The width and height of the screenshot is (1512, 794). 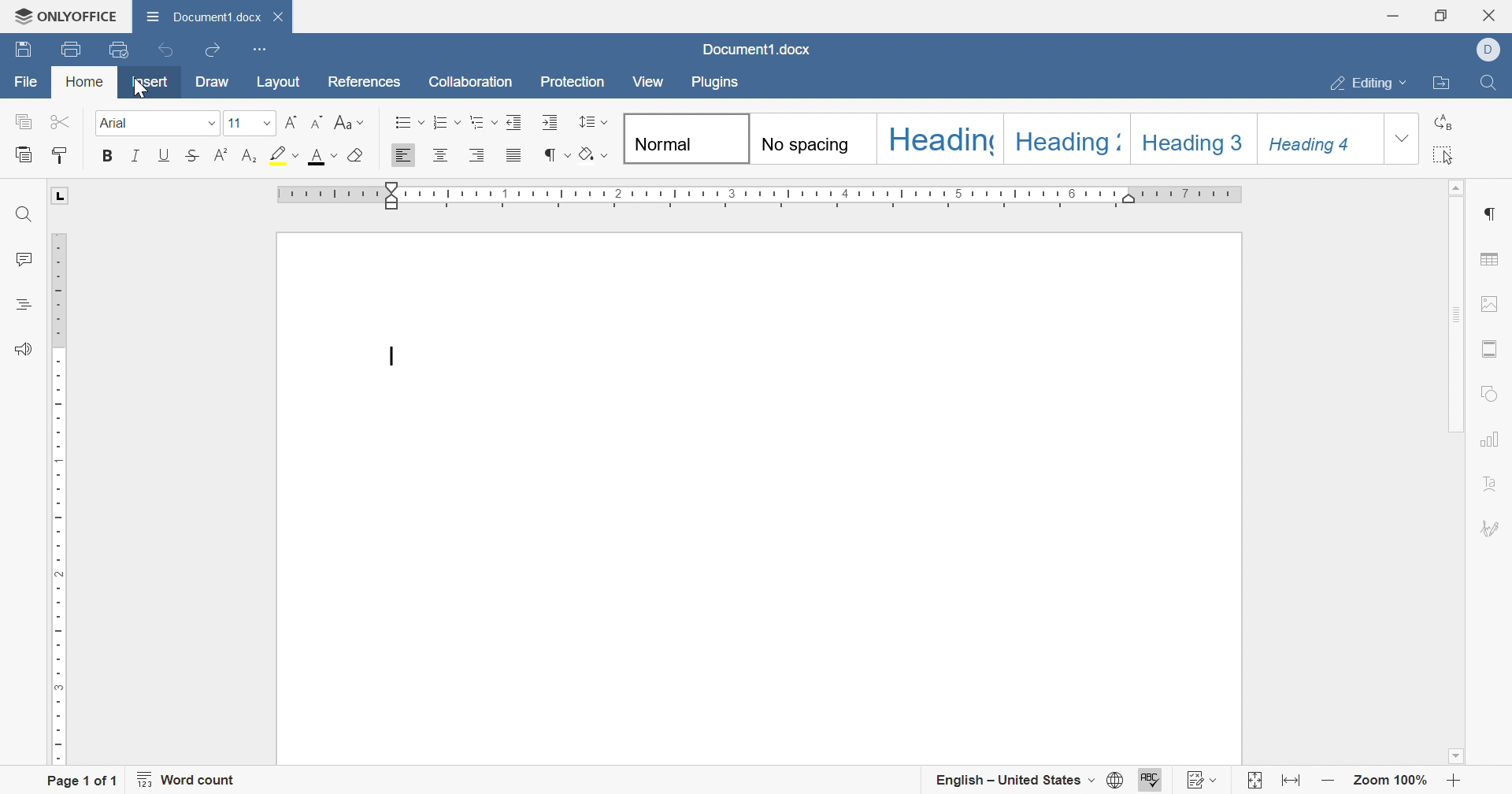 What do you see at coordinates (238, 121) in the screenshot?
I see `11` at bounding box center [238, 121].